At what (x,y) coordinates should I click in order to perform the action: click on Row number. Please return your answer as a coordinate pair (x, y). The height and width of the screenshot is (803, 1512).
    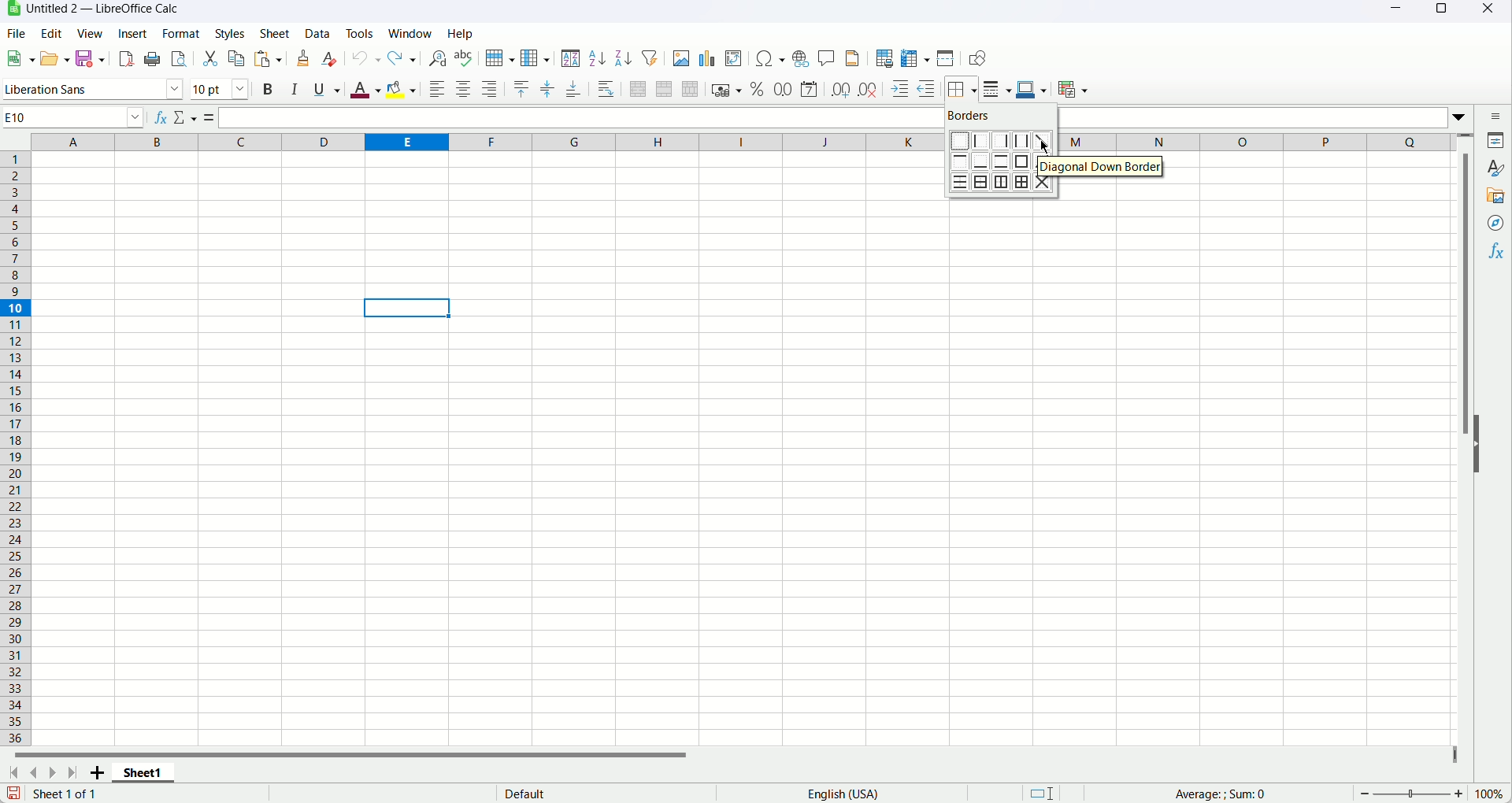
    Looking at the image, I should click on (17, 450).